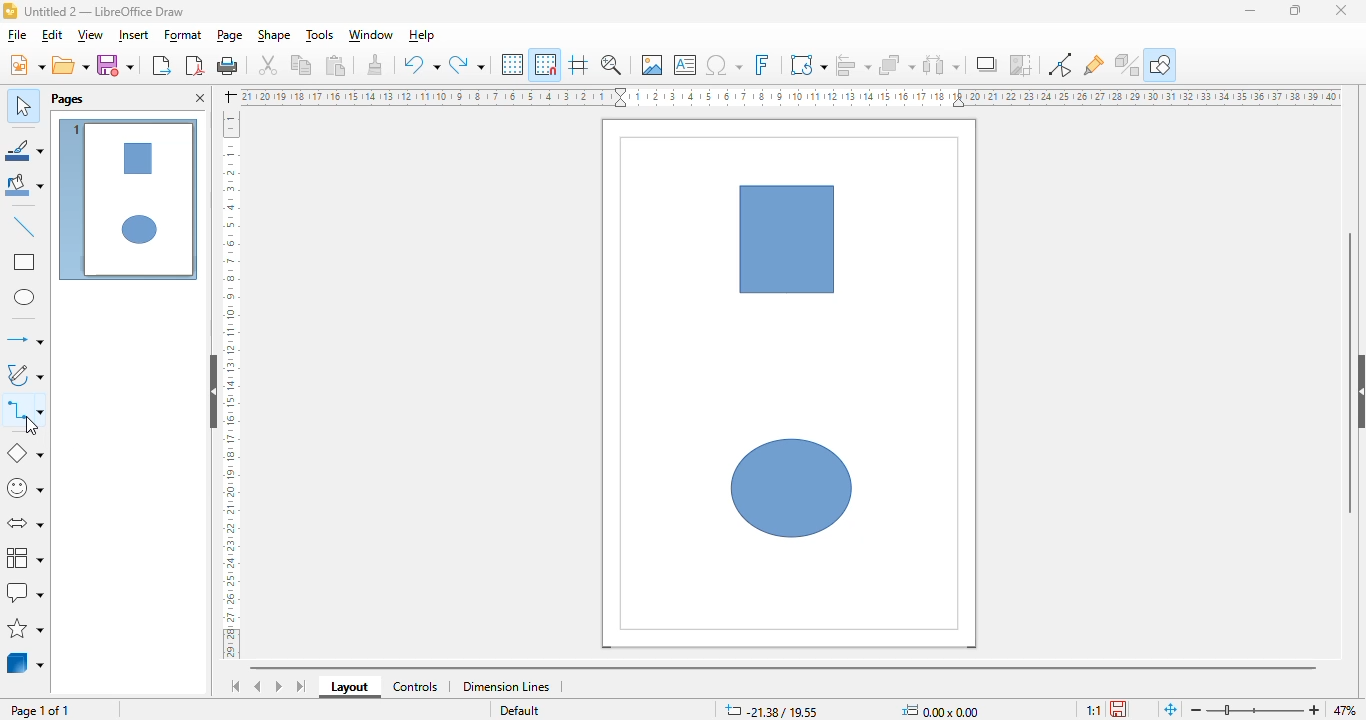 The width and height of the screenshot is (1366, 720). Describe the element at coordinates (375, 65) in the screenshot. I see `clone formatting` at that location.